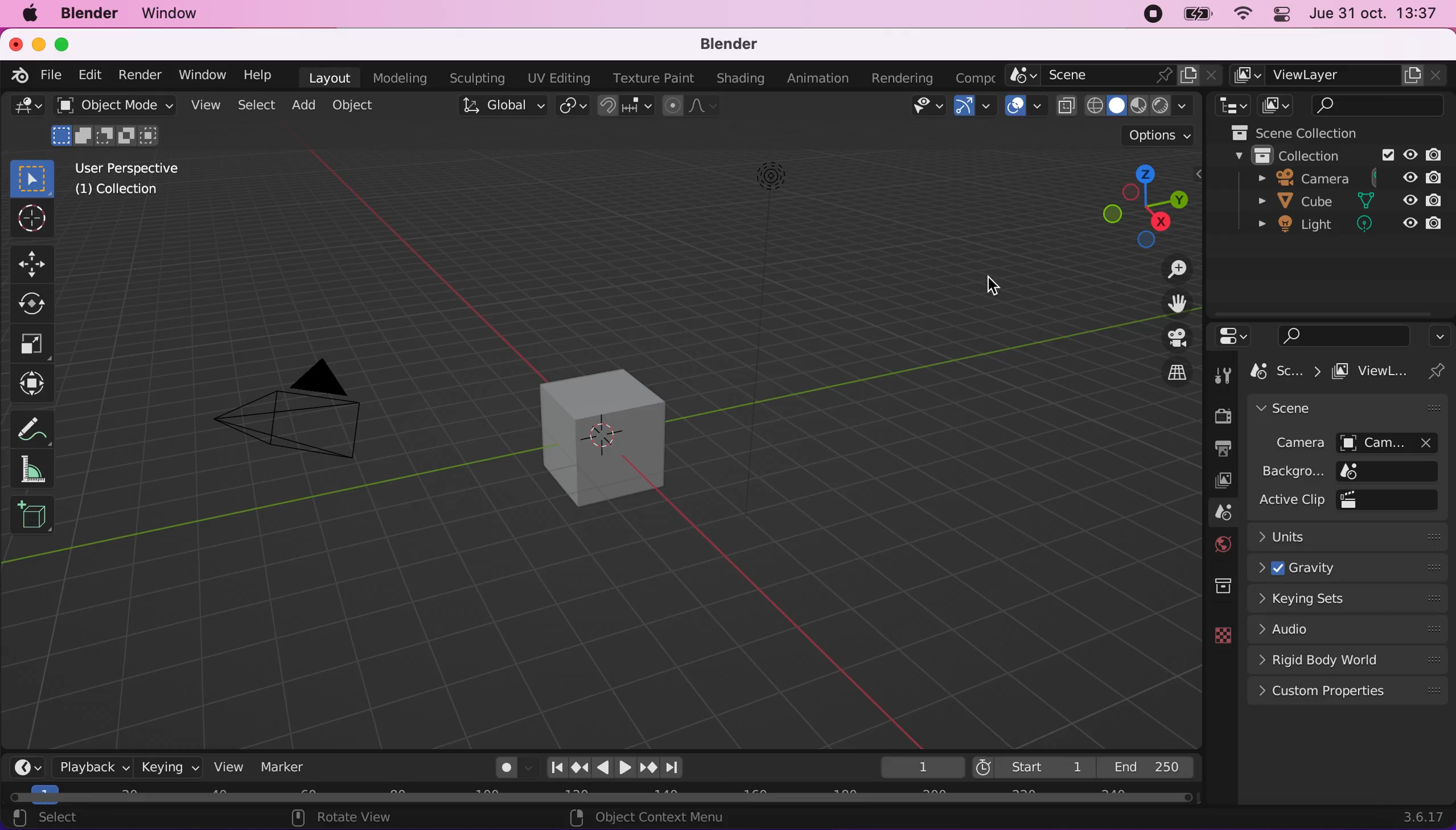 The image size is (1456, 830). Describe the element at coordinates (34, 521) in the screenshot. I see `add cube` at that location.